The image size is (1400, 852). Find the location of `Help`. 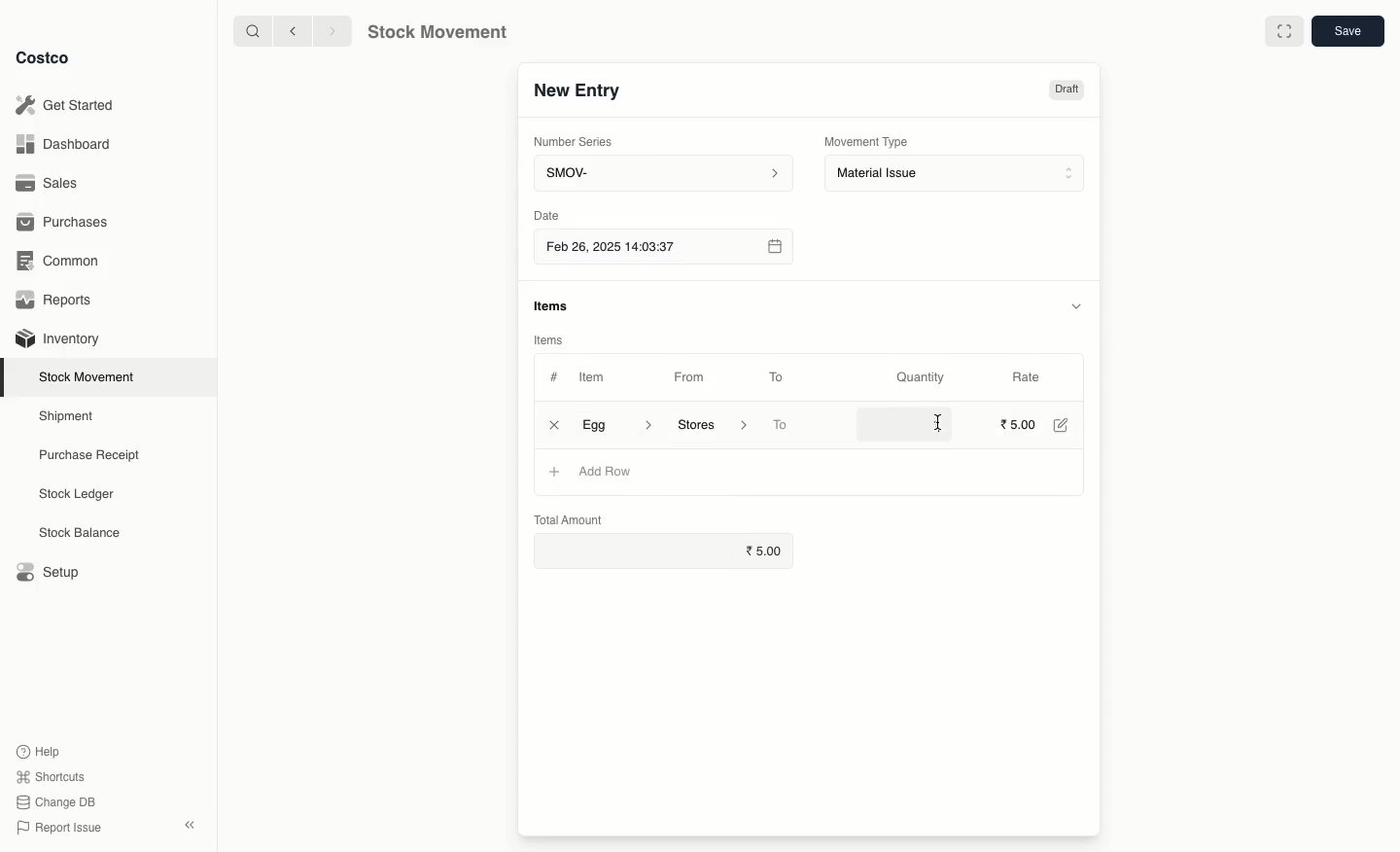

Help is located at coordinates (40, 749).